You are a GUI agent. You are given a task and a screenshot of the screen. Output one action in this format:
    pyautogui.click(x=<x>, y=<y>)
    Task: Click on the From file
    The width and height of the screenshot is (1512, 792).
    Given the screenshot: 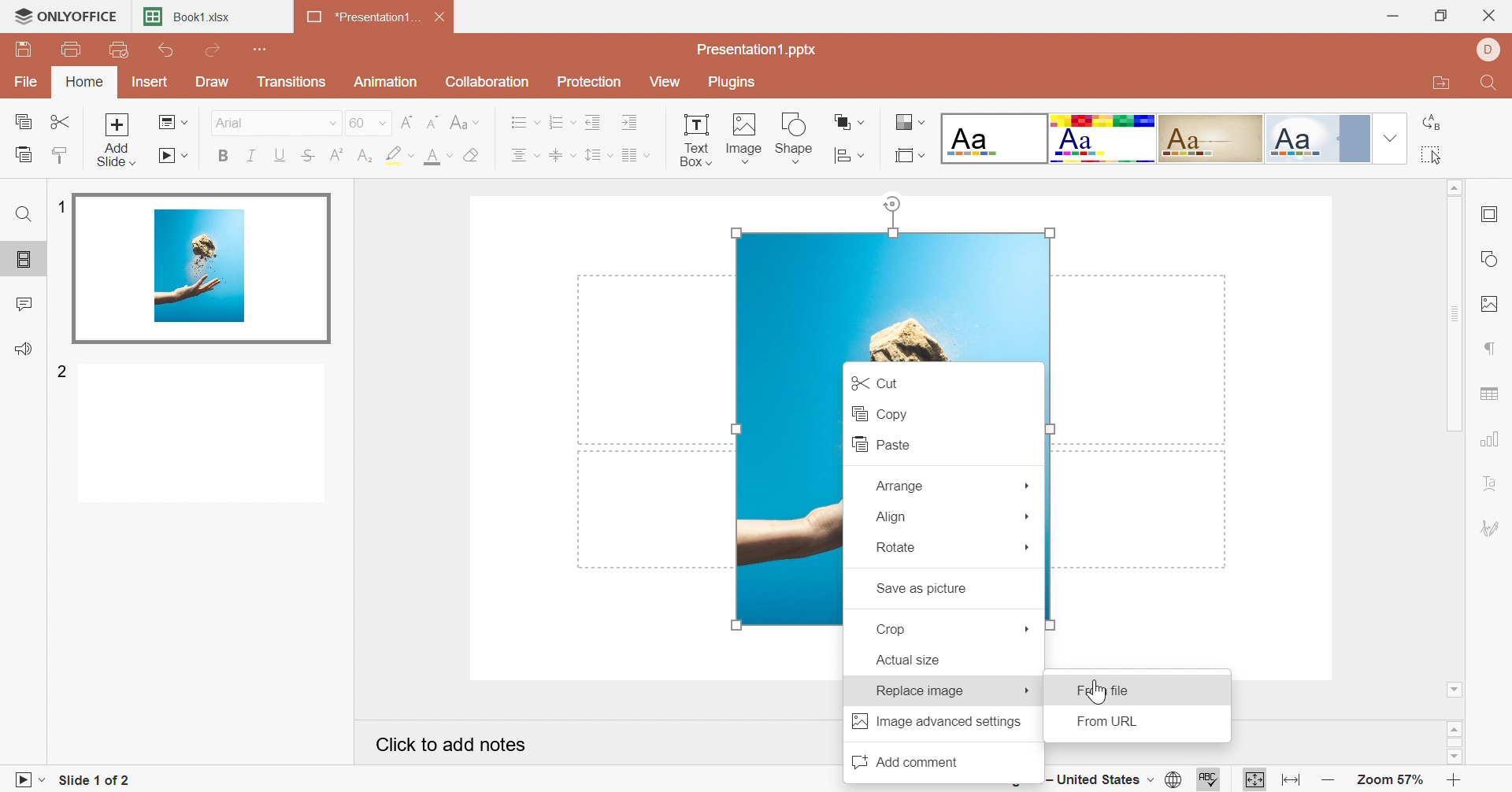 What is the action you would take?
    pyautogui.click(x=1102, y=692)
    